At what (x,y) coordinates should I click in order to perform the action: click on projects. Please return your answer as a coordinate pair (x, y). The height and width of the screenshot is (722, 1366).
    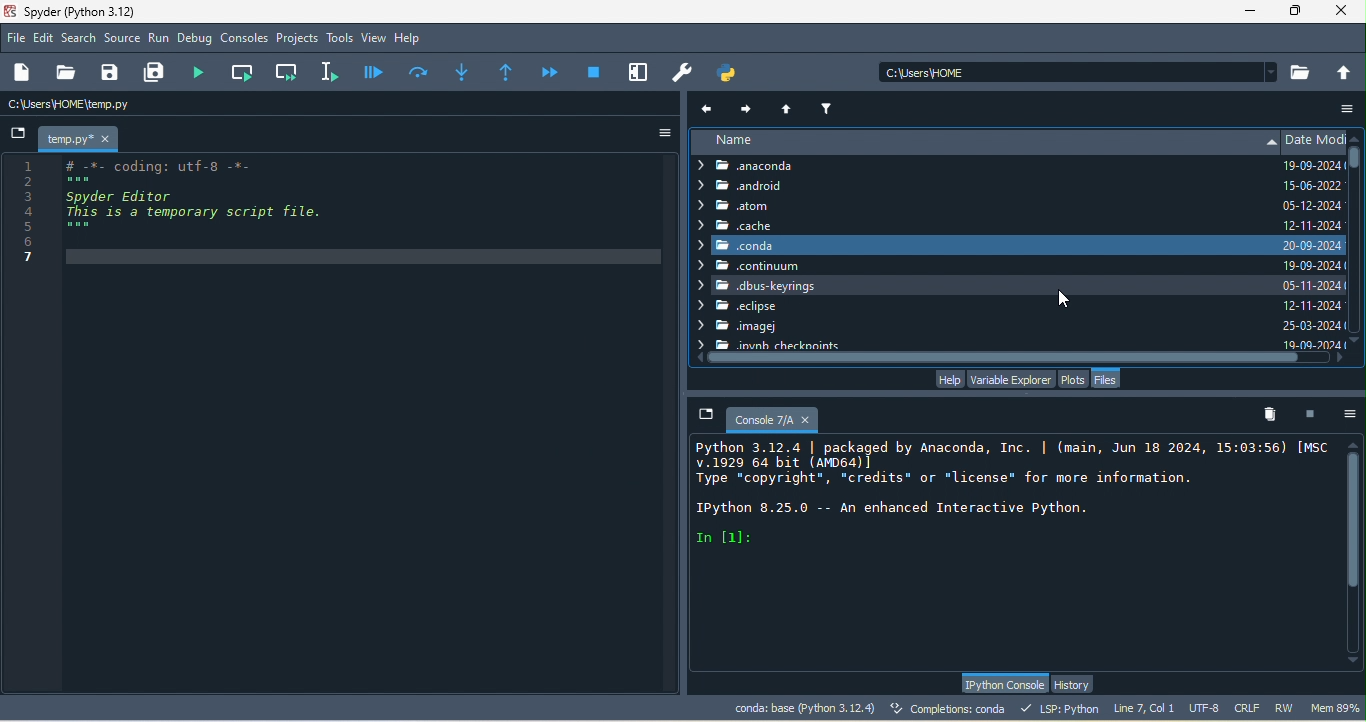
    Looking at the image, I should click on (298, 39).